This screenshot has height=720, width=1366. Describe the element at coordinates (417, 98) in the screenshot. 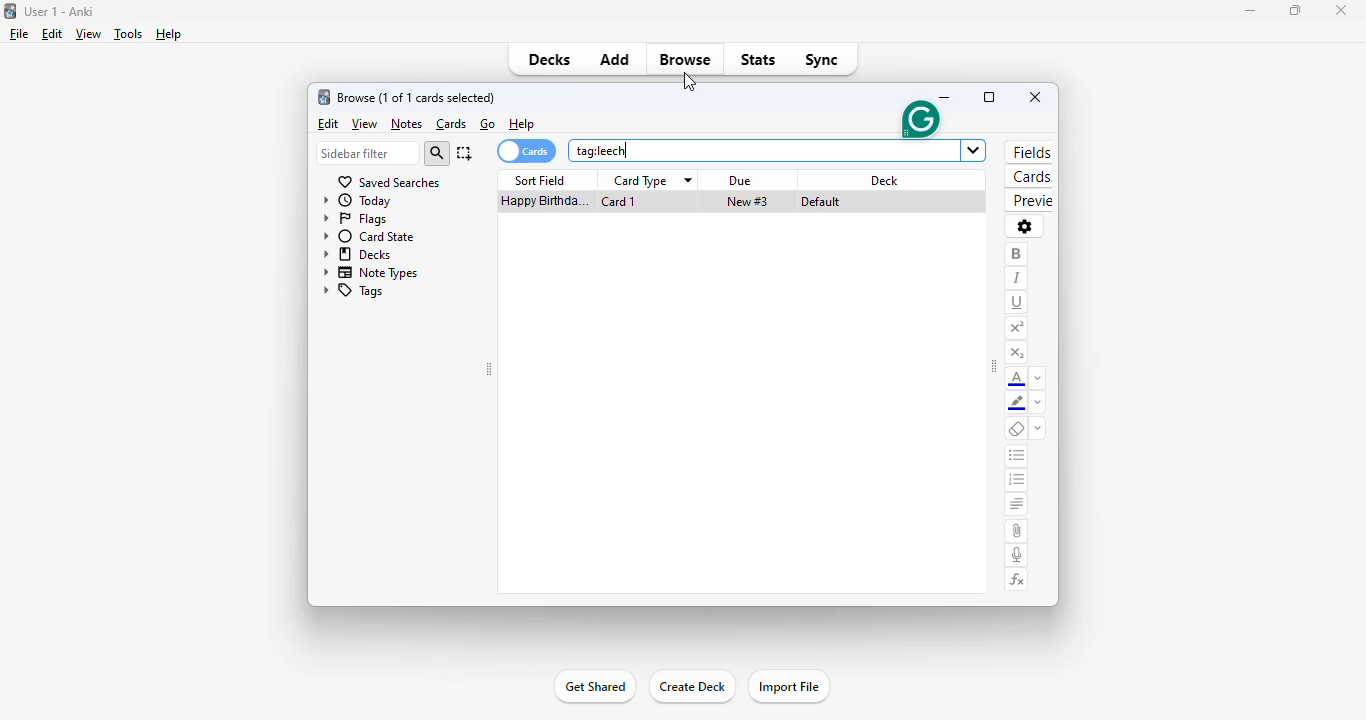

I see `browse (1 of 3 cards selected)` at that location.